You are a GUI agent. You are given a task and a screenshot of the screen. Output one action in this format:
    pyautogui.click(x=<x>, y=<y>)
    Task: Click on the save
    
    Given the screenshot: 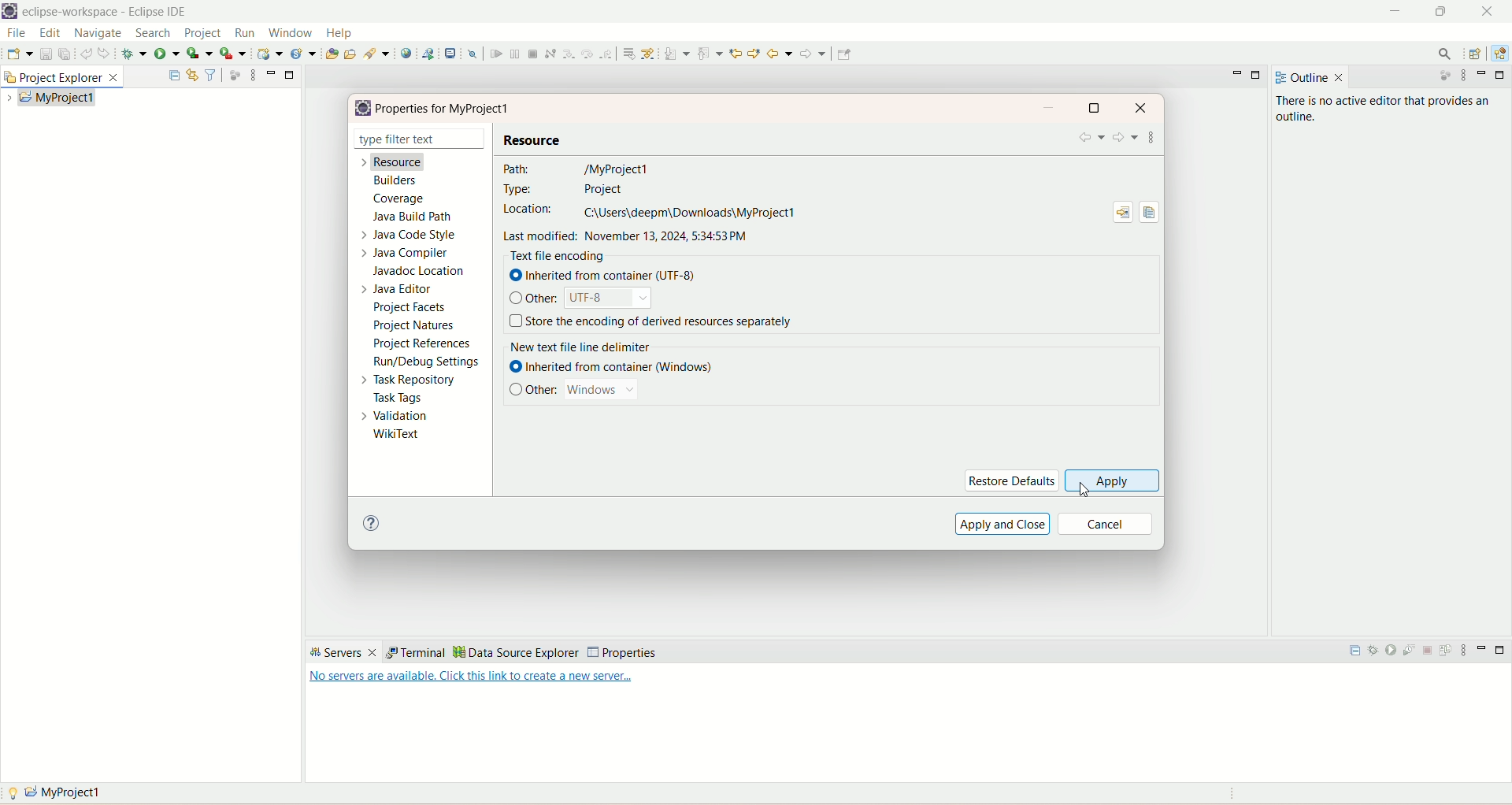 What is the action you would take?
    pyautogui.click(x=19, y=54)
    